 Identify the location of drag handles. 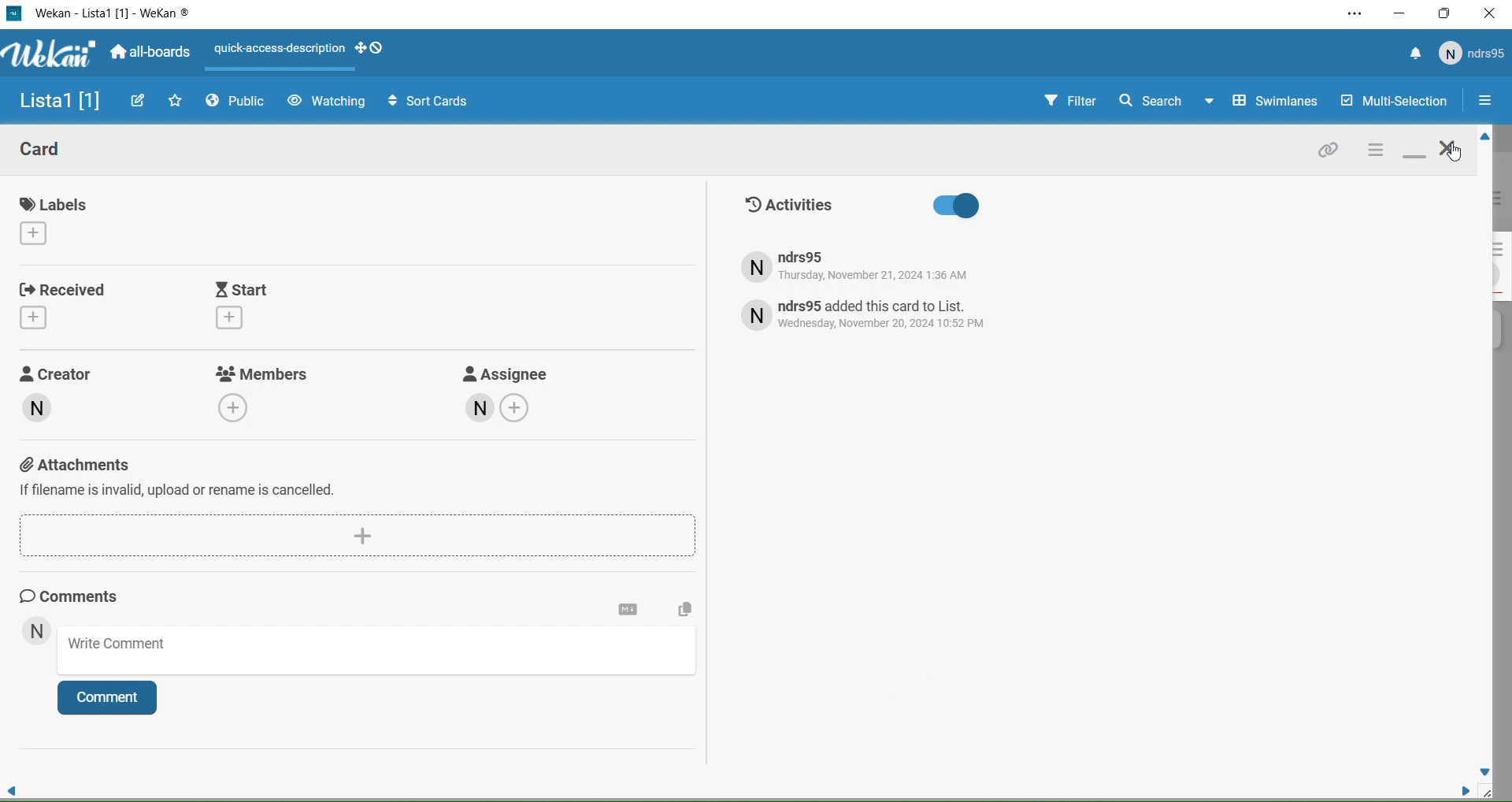
(378, 49).